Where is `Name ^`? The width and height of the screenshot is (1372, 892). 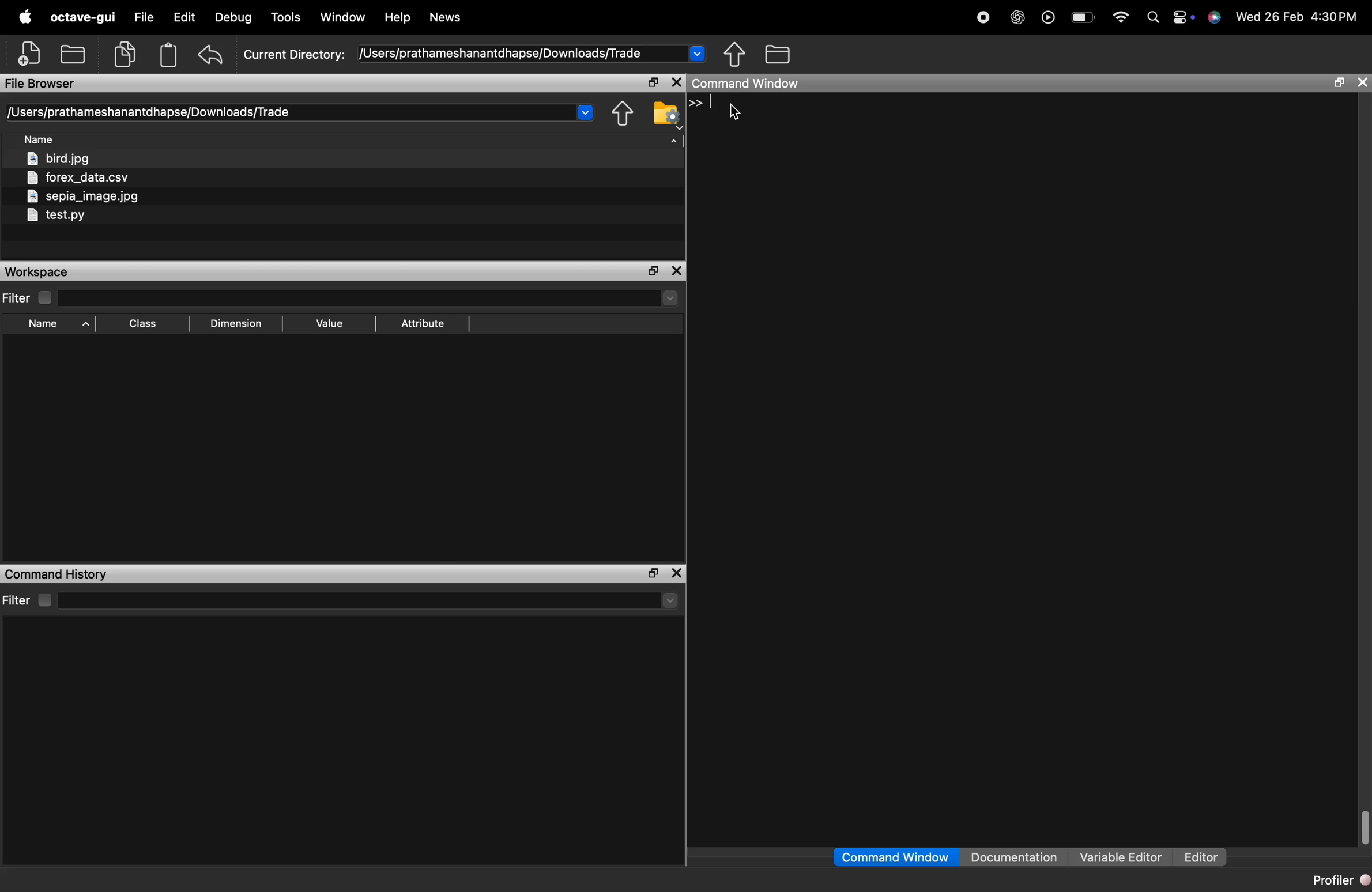 Name ^ is located at coordinates (59, 324).